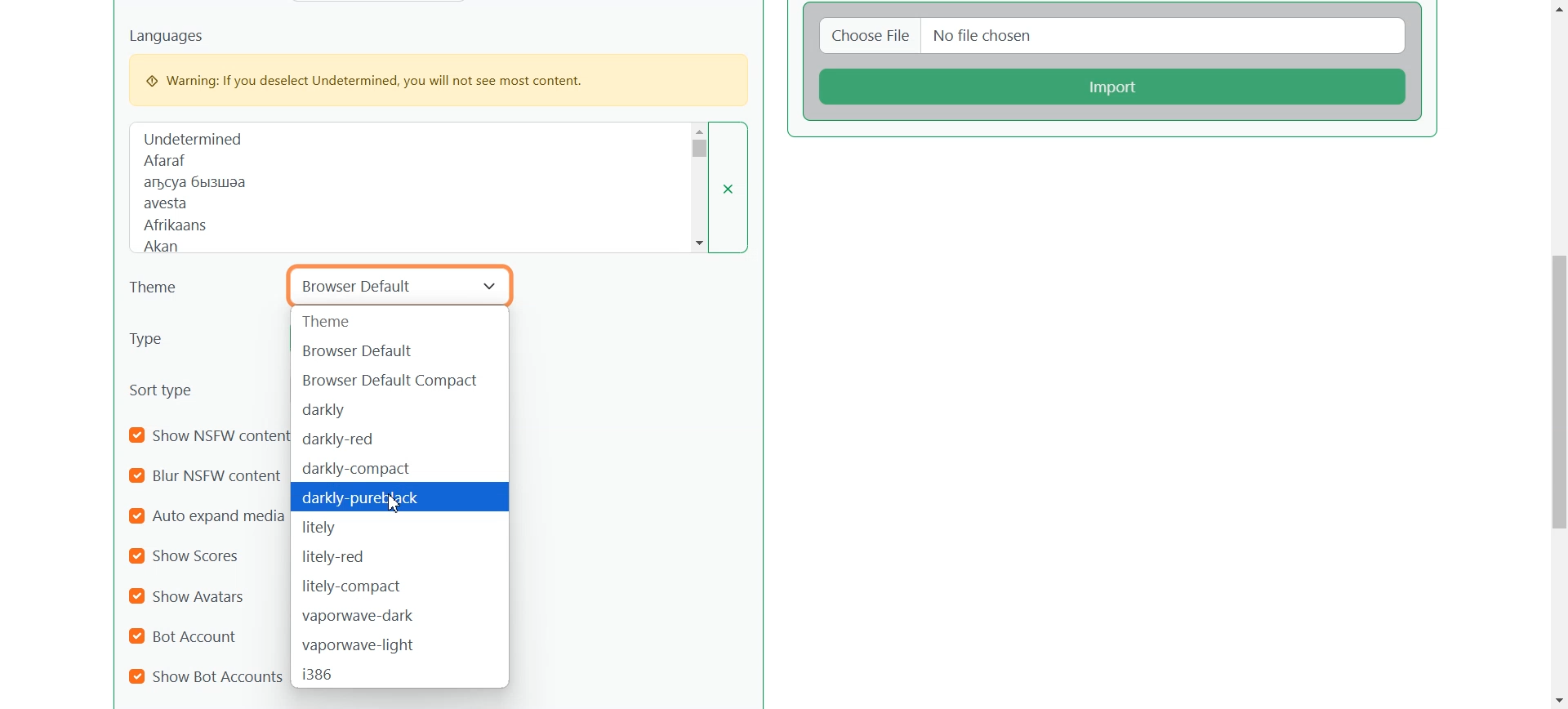  Describe the element at coordinates (401, 528) in the screenshot. I see `litely` at that location.